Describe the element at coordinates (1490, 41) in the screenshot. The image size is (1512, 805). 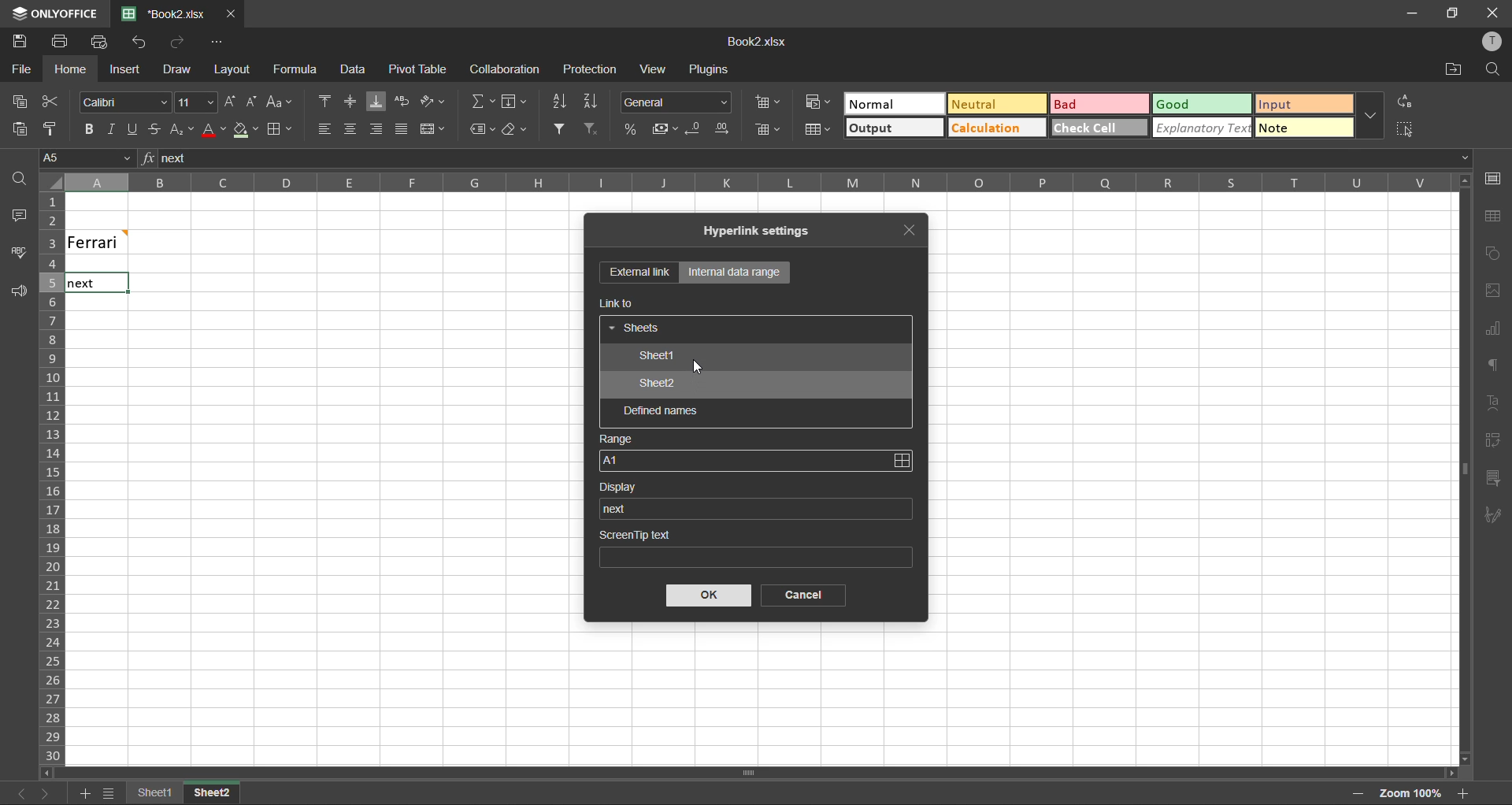
I see `profile` at that location.